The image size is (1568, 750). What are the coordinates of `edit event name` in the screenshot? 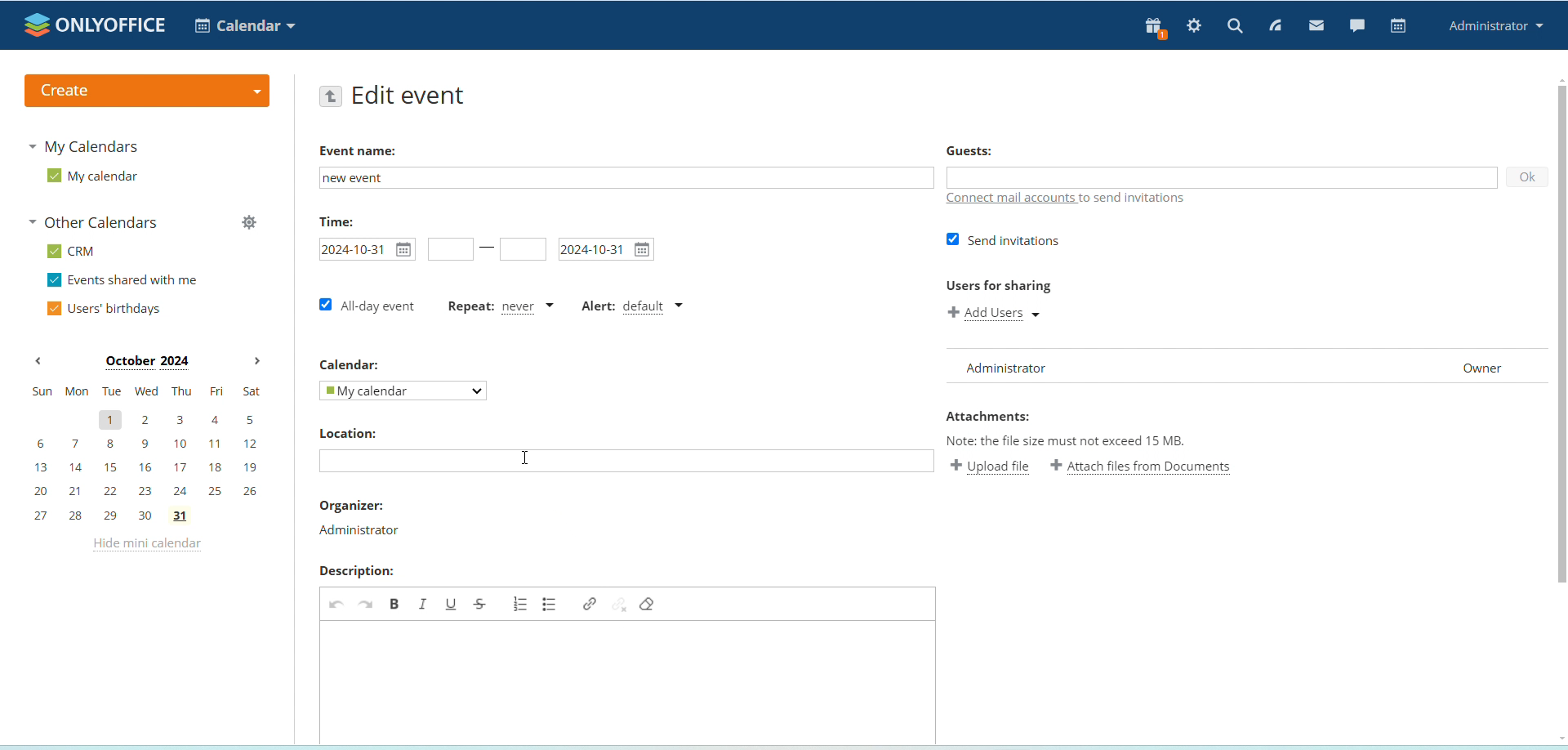 It's located at (624, 177).